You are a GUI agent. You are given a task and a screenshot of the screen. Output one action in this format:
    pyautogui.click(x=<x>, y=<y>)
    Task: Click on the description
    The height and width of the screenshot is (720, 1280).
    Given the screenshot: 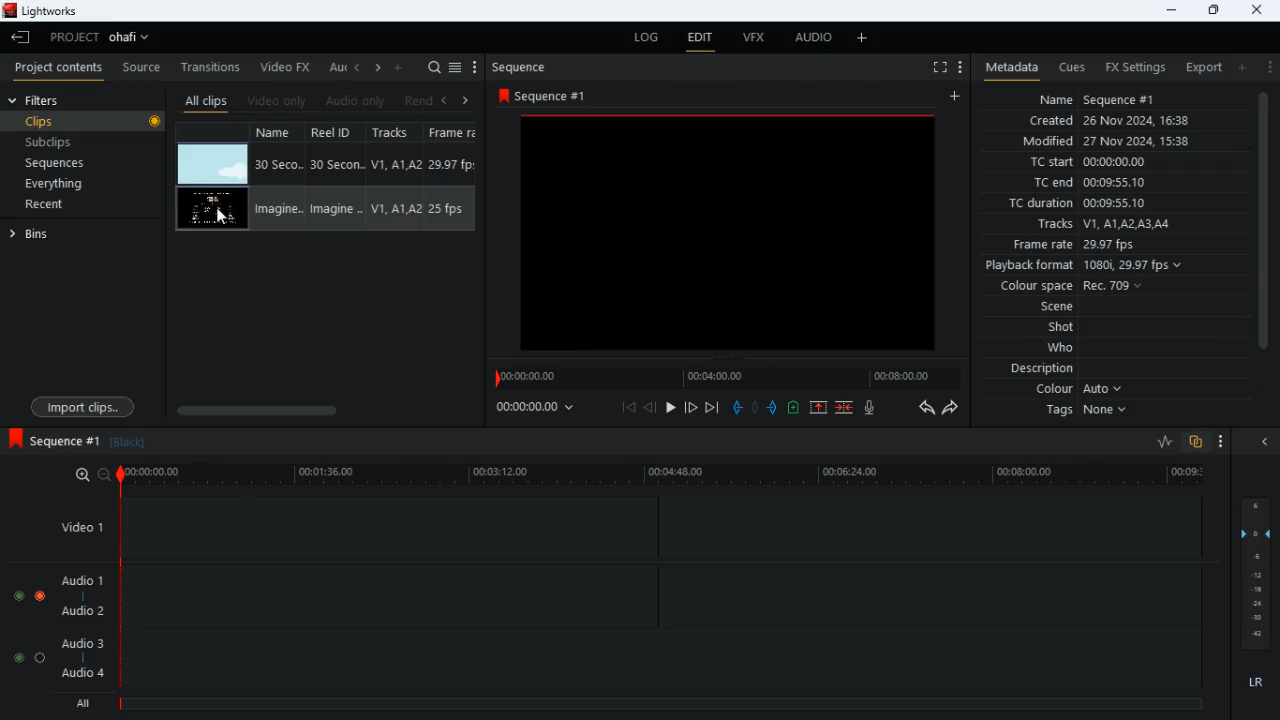 What is the action you would take?
    pyautogui.click(x=1034, y=370)
    